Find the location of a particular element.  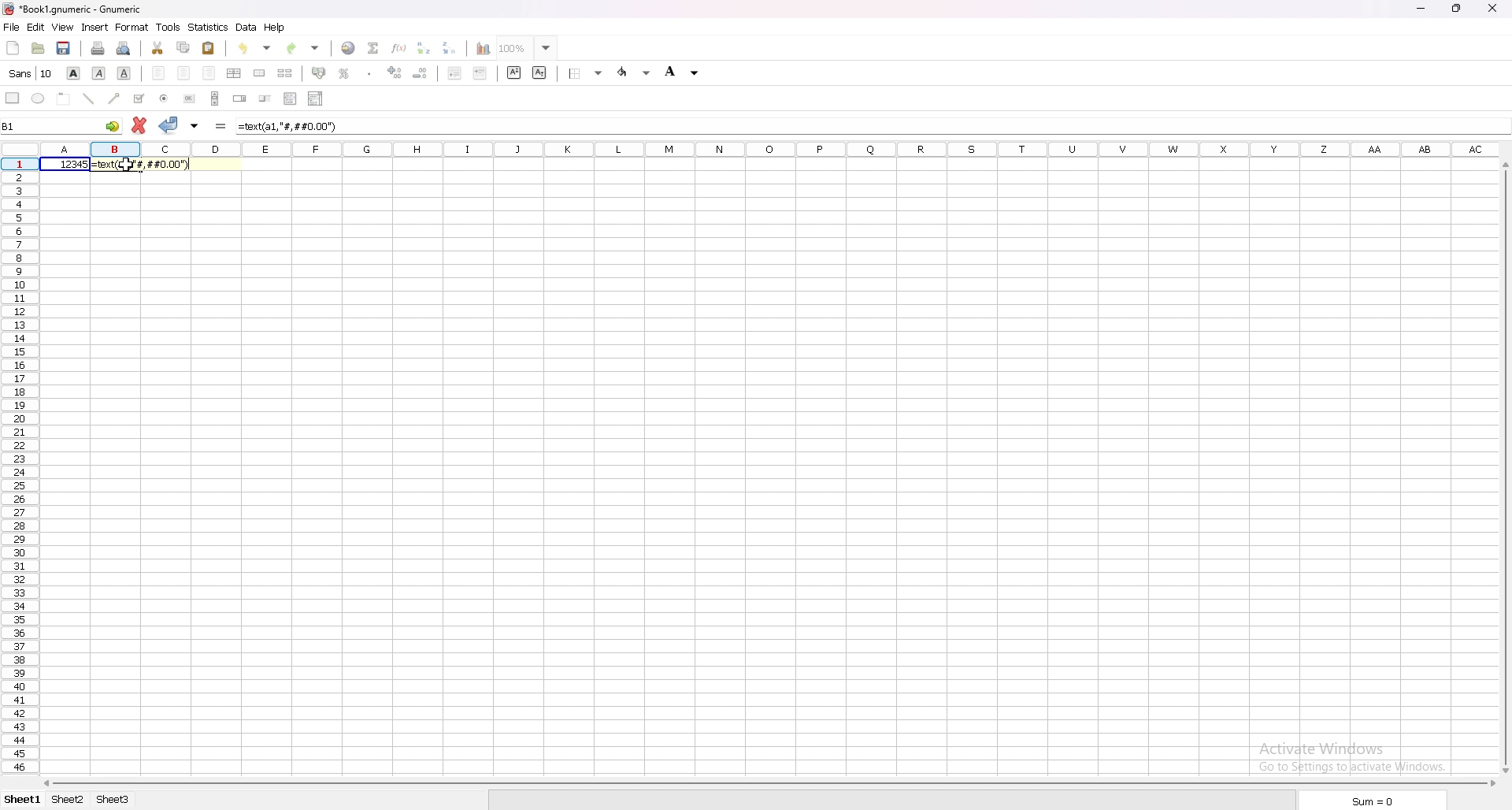

increase decimals is located at coordinates (397, 72).